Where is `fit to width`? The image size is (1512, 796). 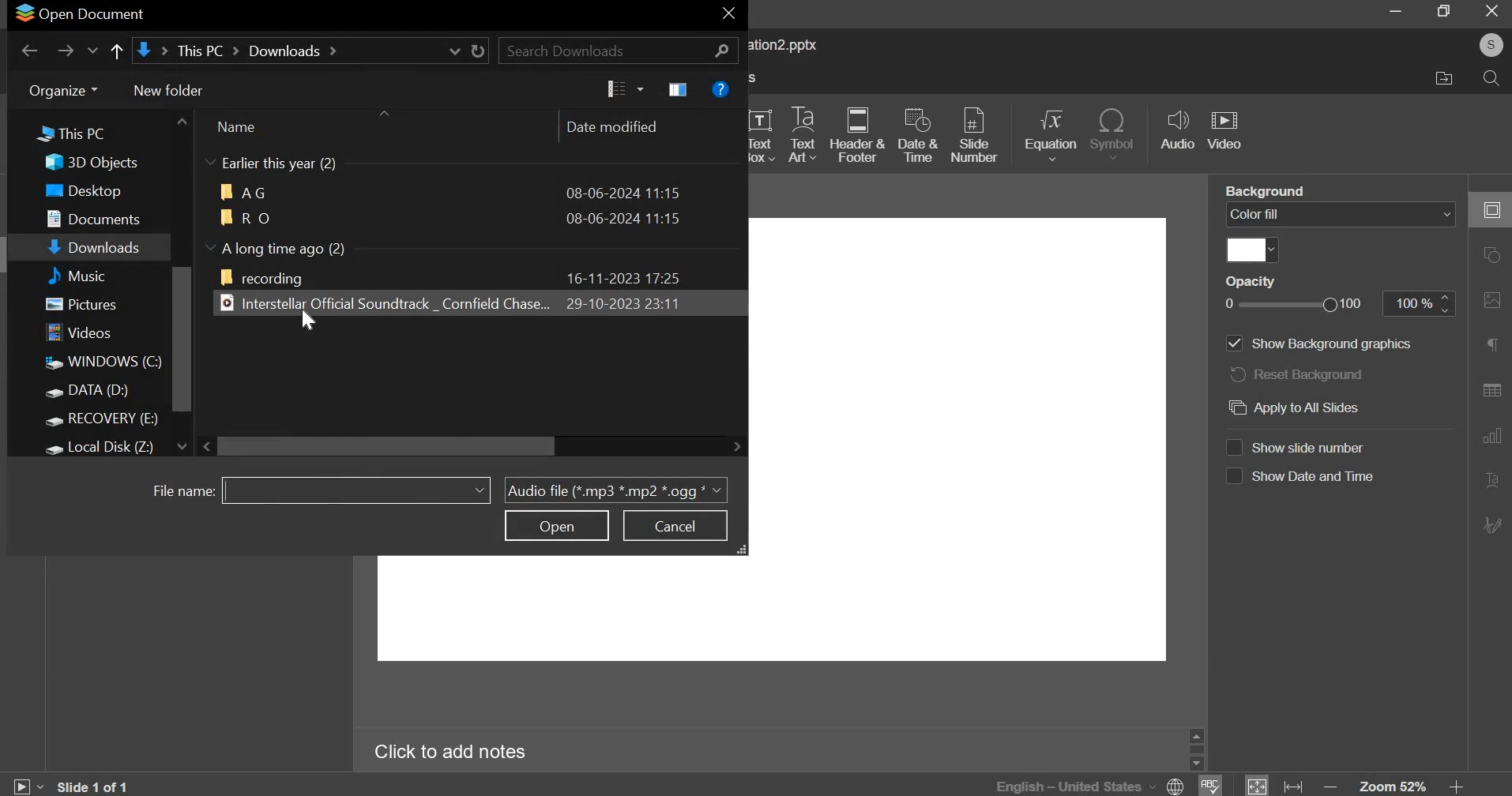 fit to width is located at coordinates (1292, 784).